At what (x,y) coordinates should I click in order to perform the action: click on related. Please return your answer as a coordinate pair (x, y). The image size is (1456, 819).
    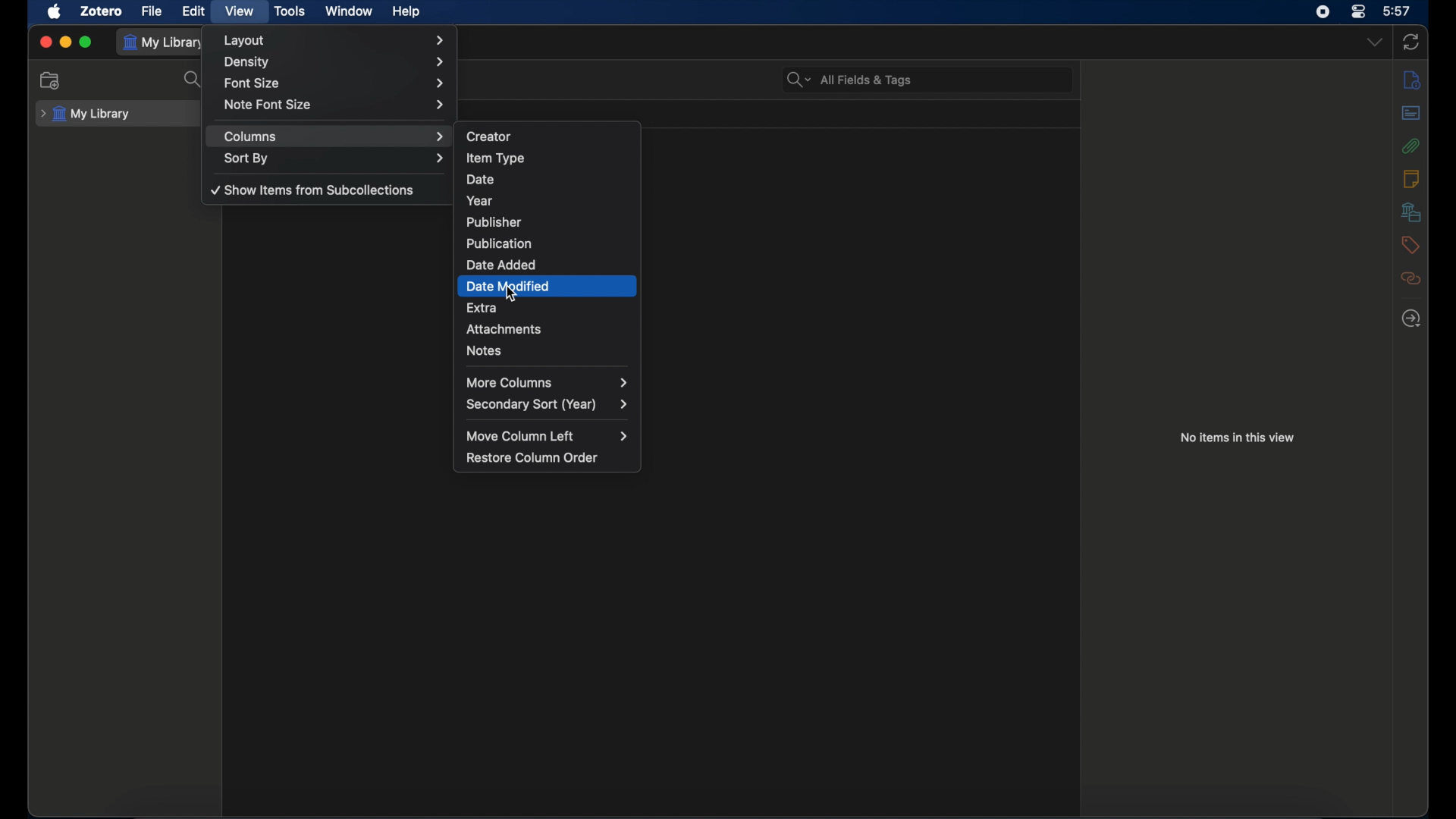
    Looking at the image, I should click on (1411, 278).